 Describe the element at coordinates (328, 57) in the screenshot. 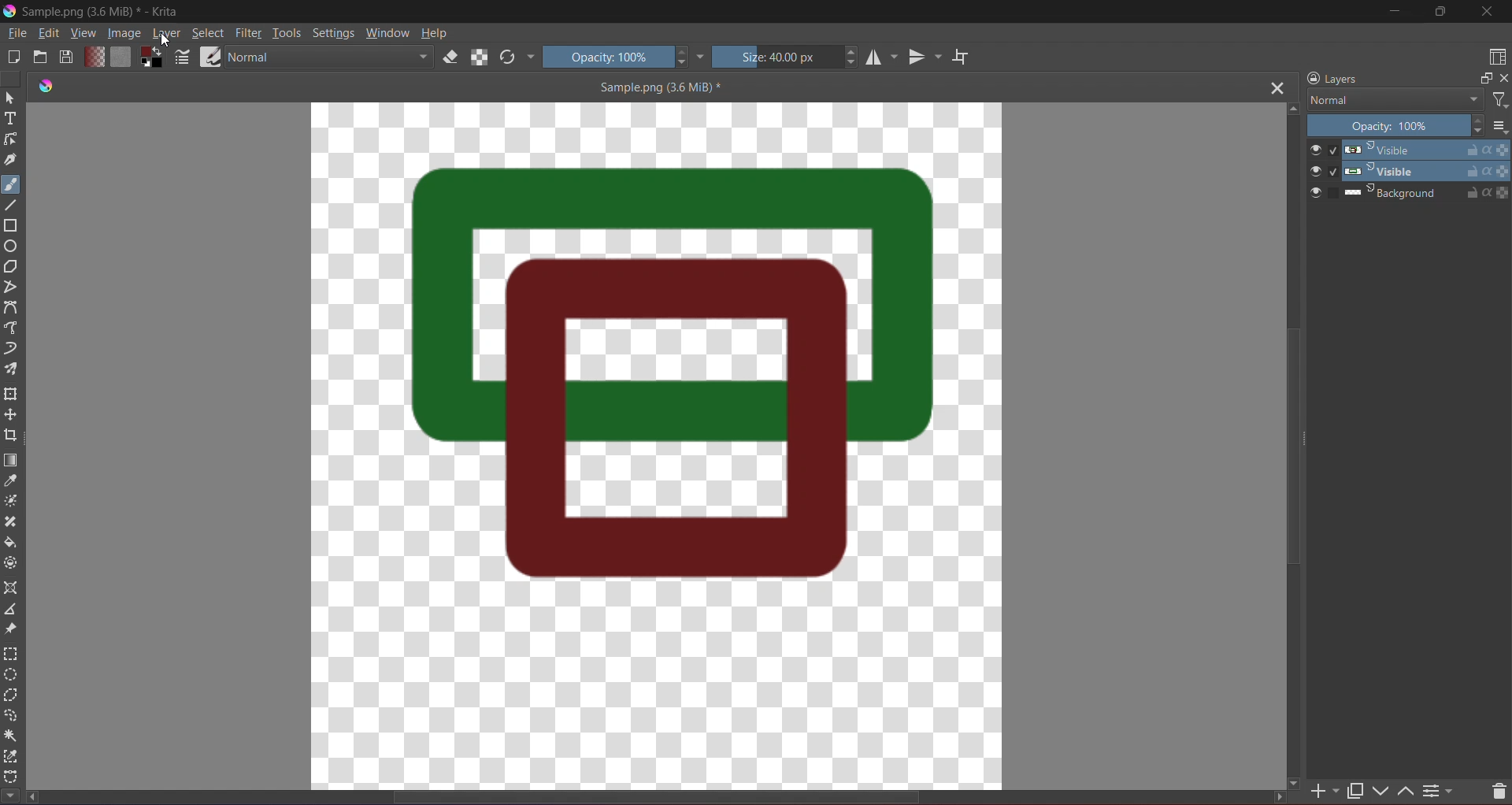

I see `Blending Mode` at that location.